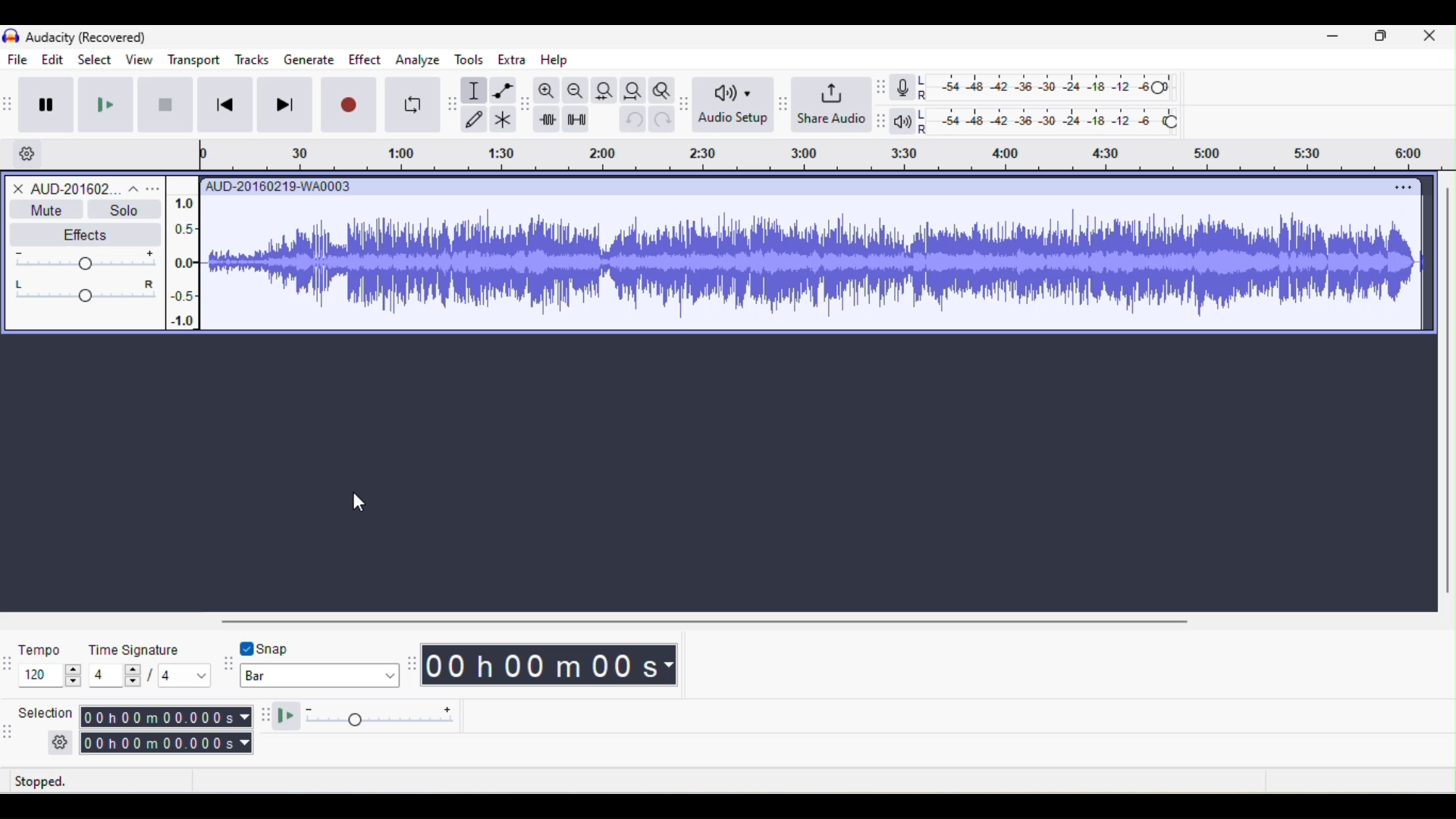 Image resolution: width=1456 pixels, height=819 pixels. Describe the element at coordinates (87, 257) in the screenshot. I see `volume` at that location.